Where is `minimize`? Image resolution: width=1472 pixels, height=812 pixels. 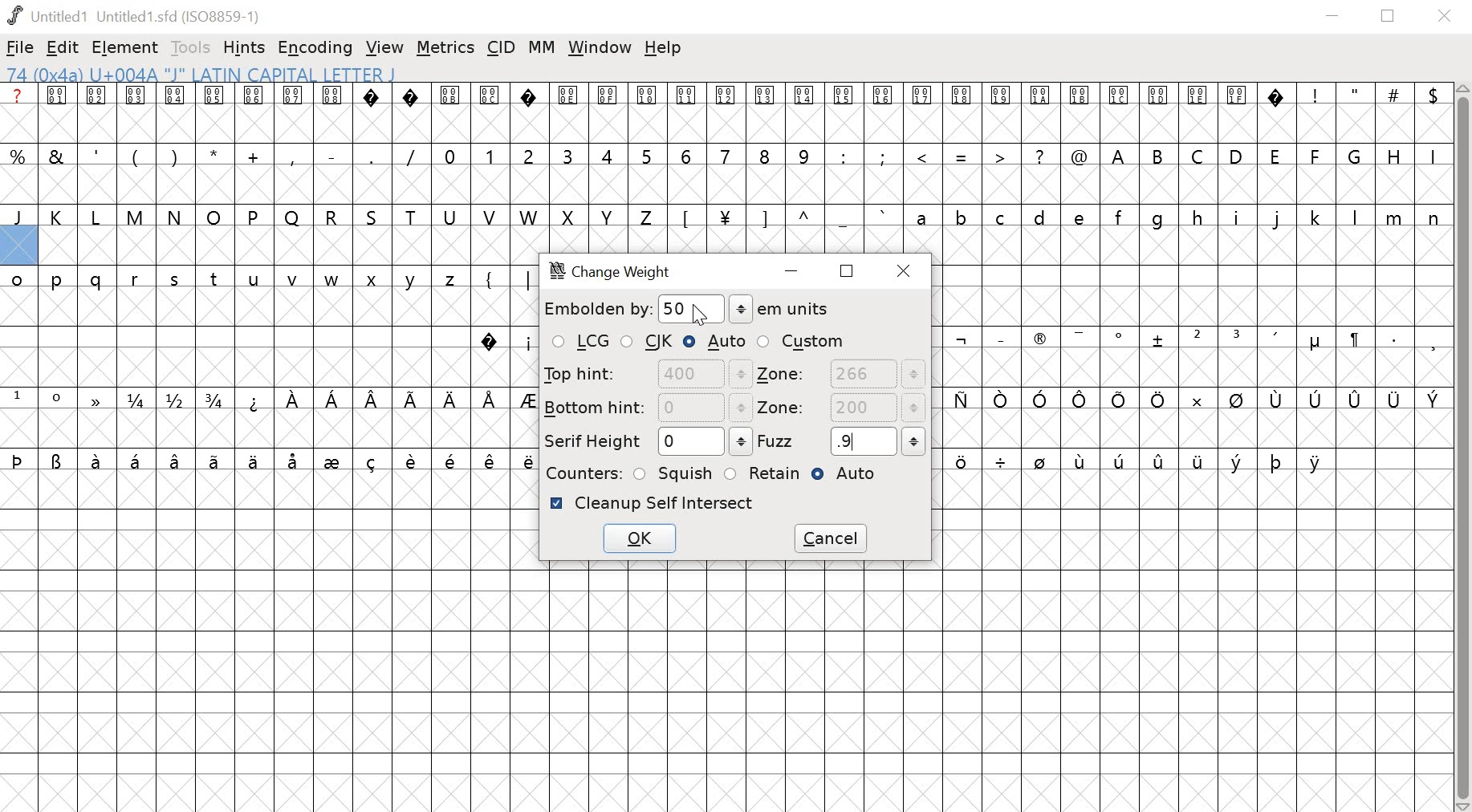
minimize is located at coordinates (1332, 17).